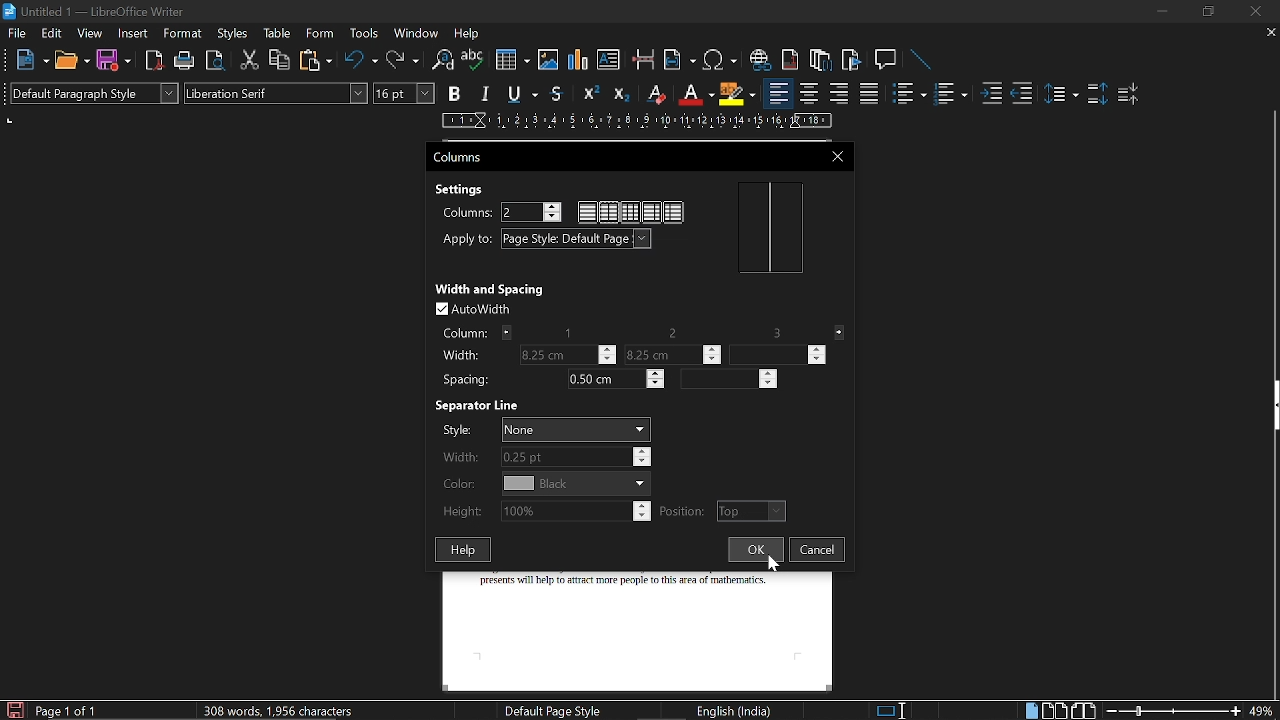 Image resolution: width=1280 pixels, height=720 pixels. I want to click on Table, so click(281, 33).